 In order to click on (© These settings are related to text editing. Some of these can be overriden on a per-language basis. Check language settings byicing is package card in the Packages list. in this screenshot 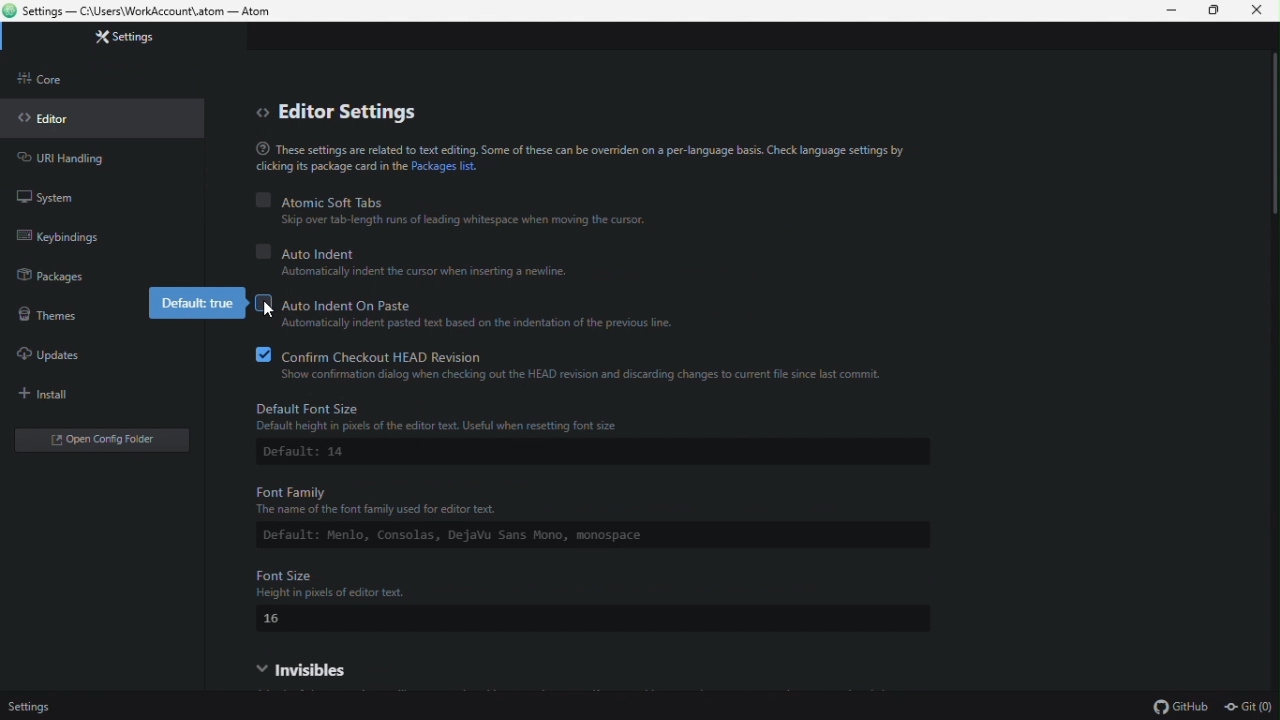, I will do `click(607, 163)`.